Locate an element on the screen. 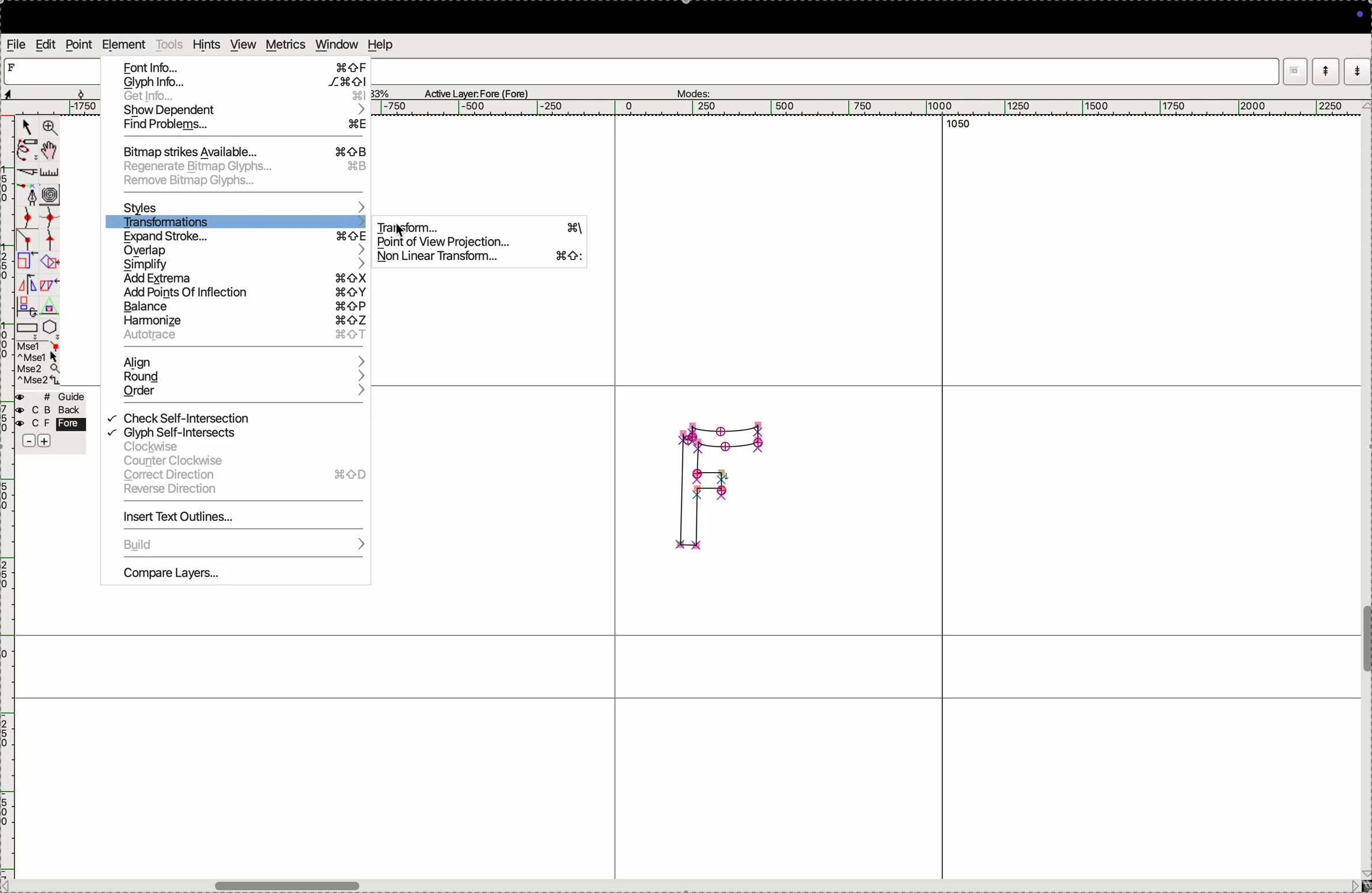 The image size is (1372, 893). metrics is located at coordinates (287, 44).